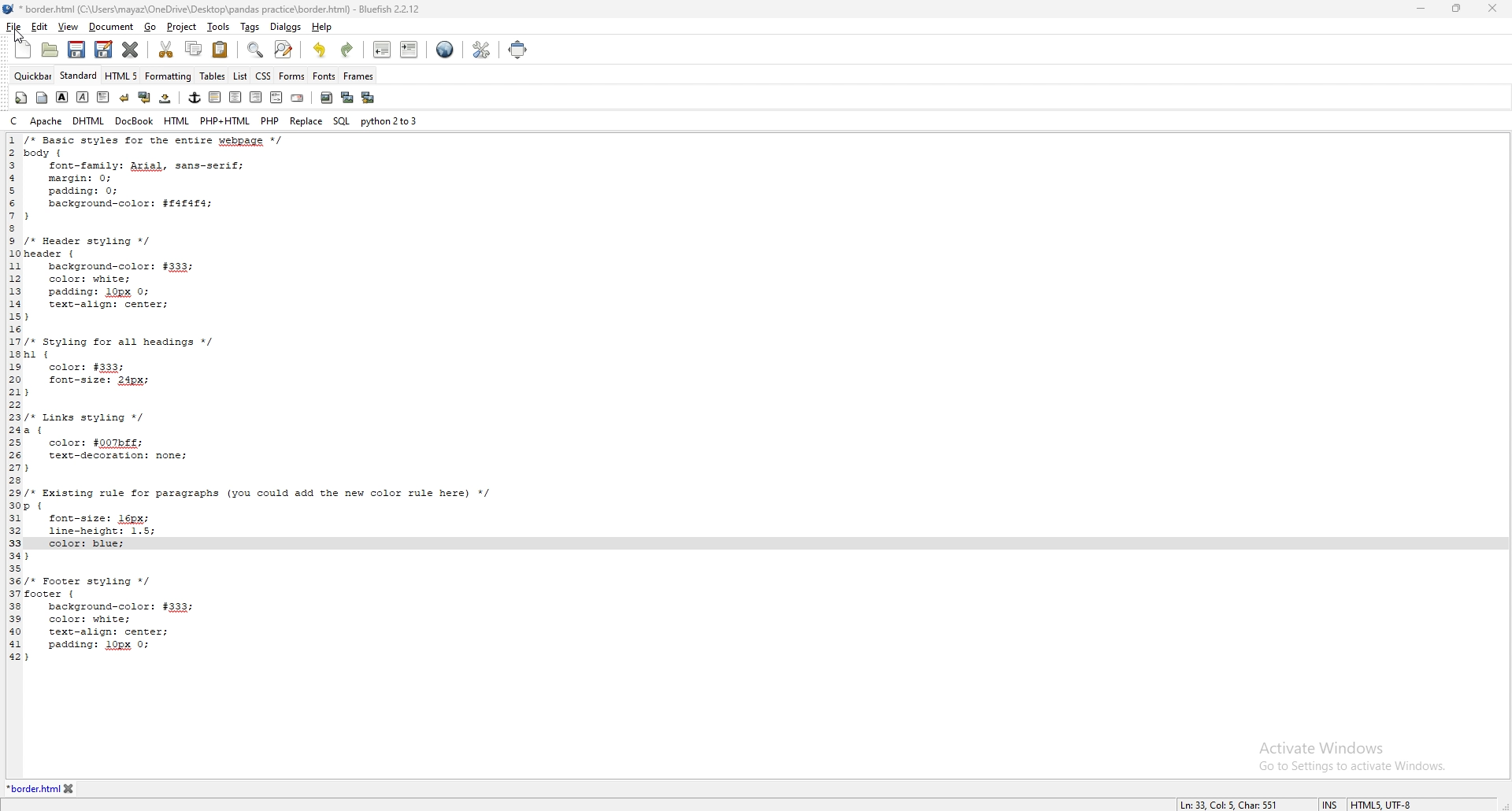 This screenshot has height=811, width=1512. What do you see at coordinates (285, 49) in the screenshot?
I see `advanced find and replace` at bounding box center [285, 49].